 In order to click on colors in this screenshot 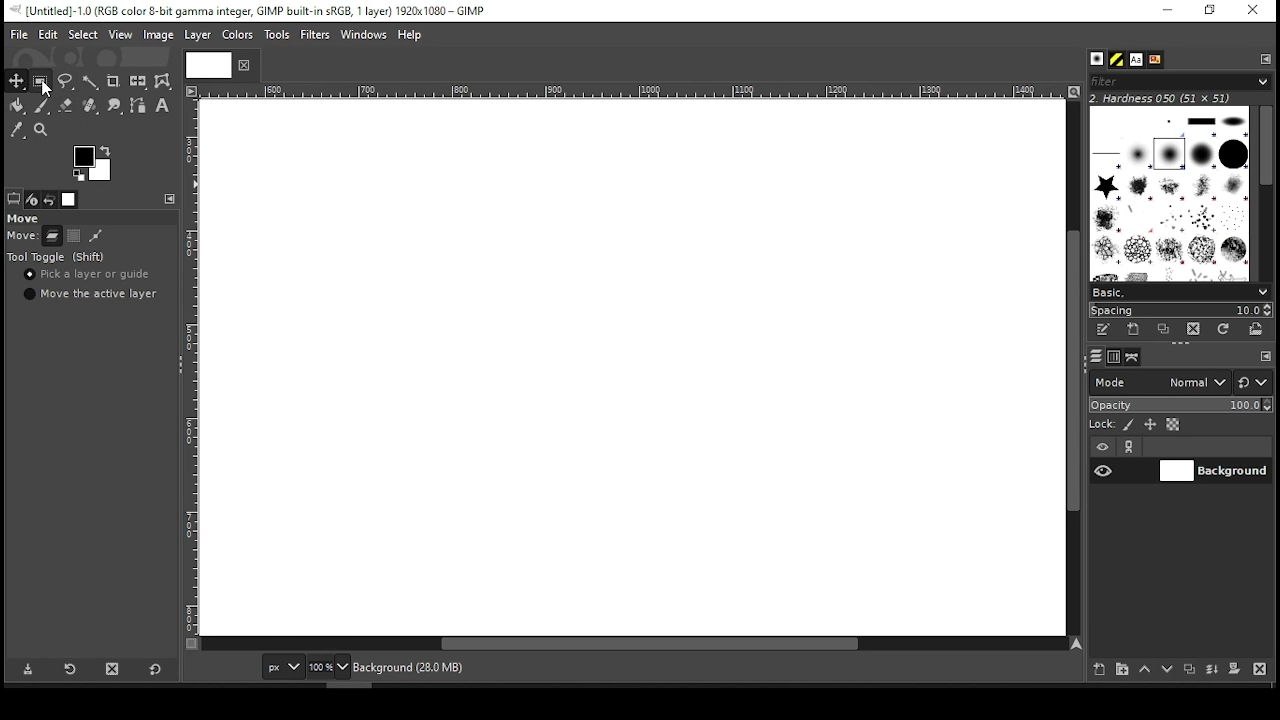, I will do `click(93, 163)`.